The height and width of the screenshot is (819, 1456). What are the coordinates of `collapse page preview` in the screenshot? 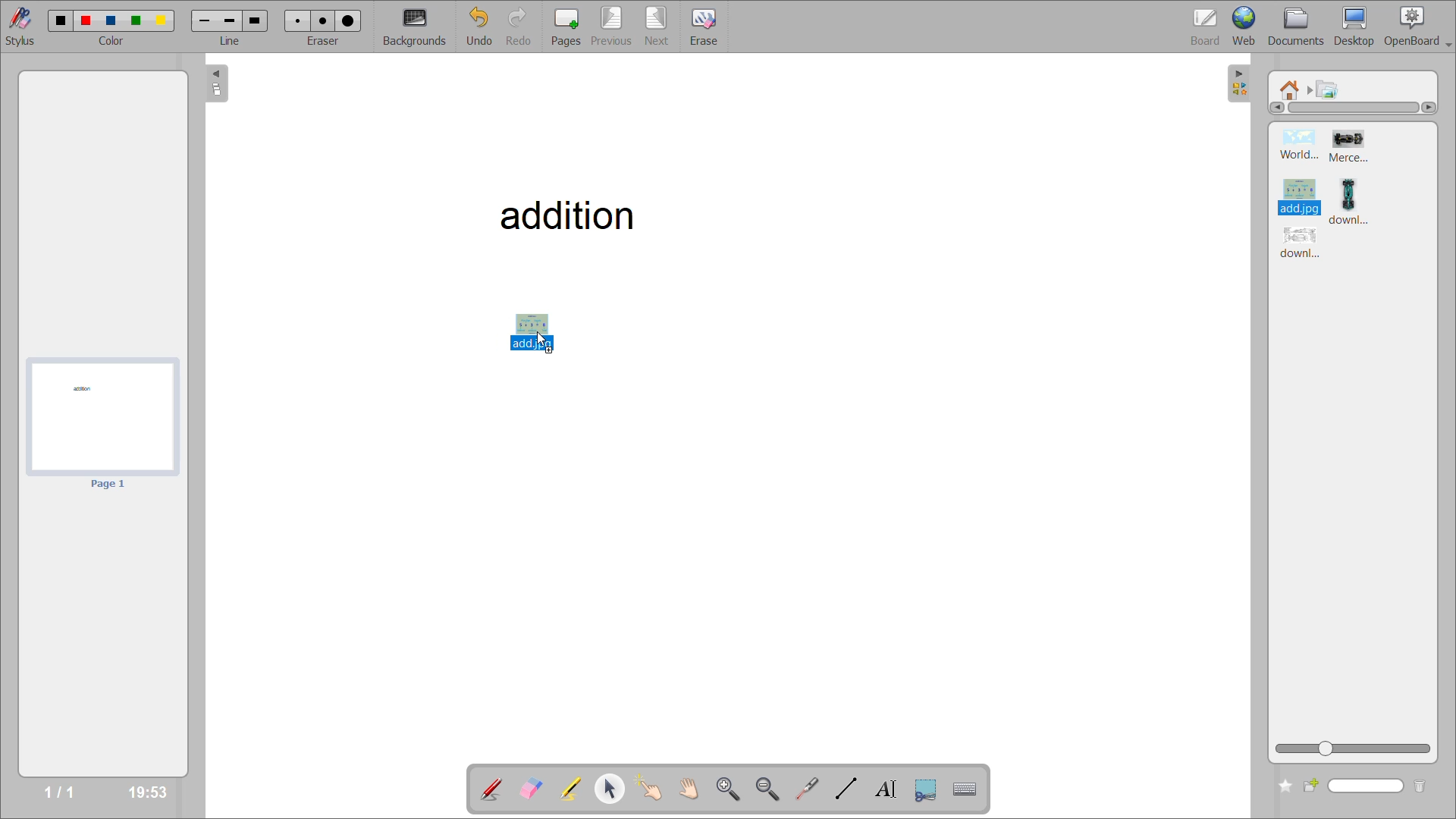 It's located at (218, 83).